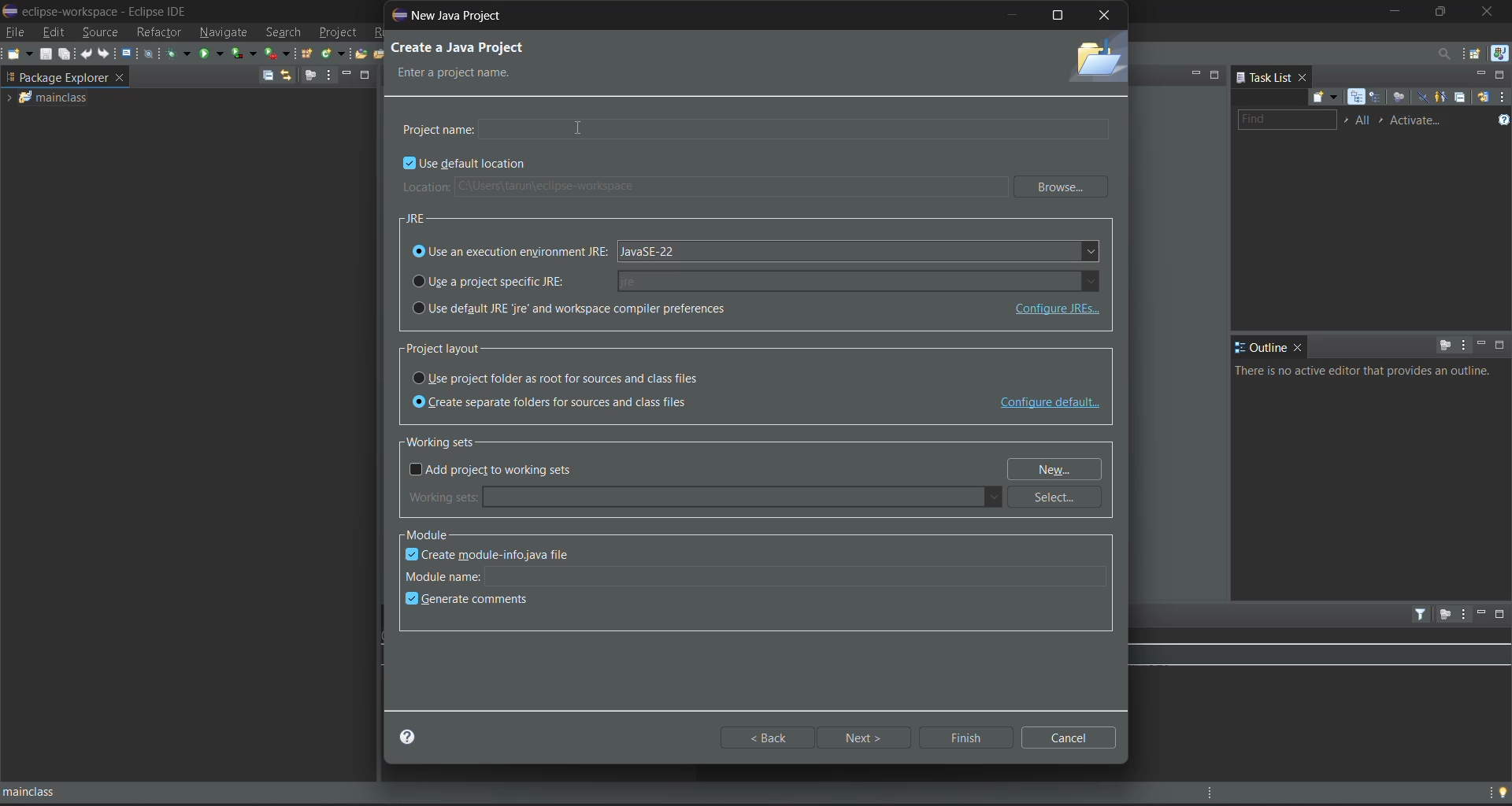 The height and width of the screenshot is (806, 1512). Describe the element at coordinates (335, 53) in the screenshot. I see `new java class` at that location.